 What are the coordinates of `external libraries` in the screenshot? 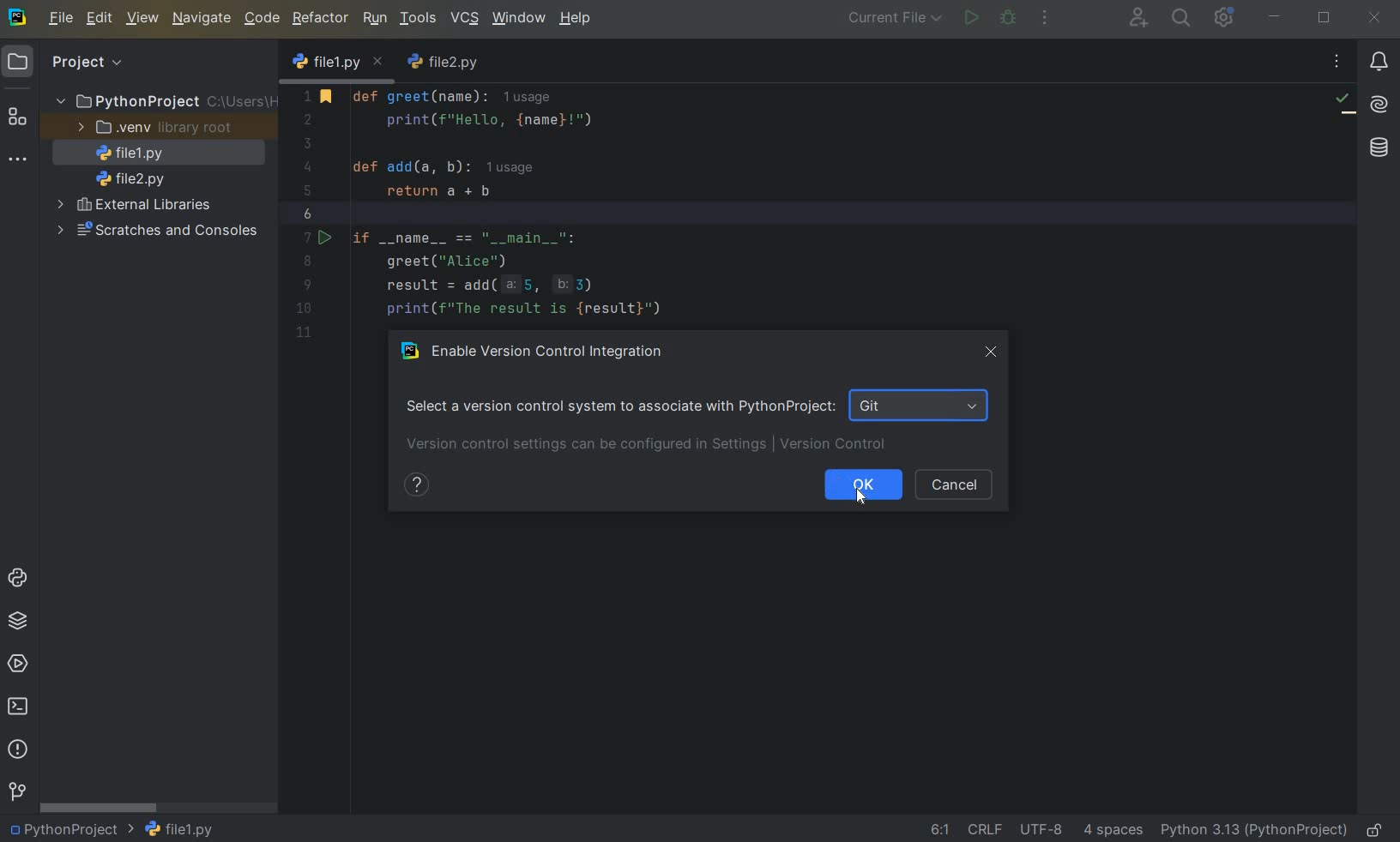 It's located at (135, 207).